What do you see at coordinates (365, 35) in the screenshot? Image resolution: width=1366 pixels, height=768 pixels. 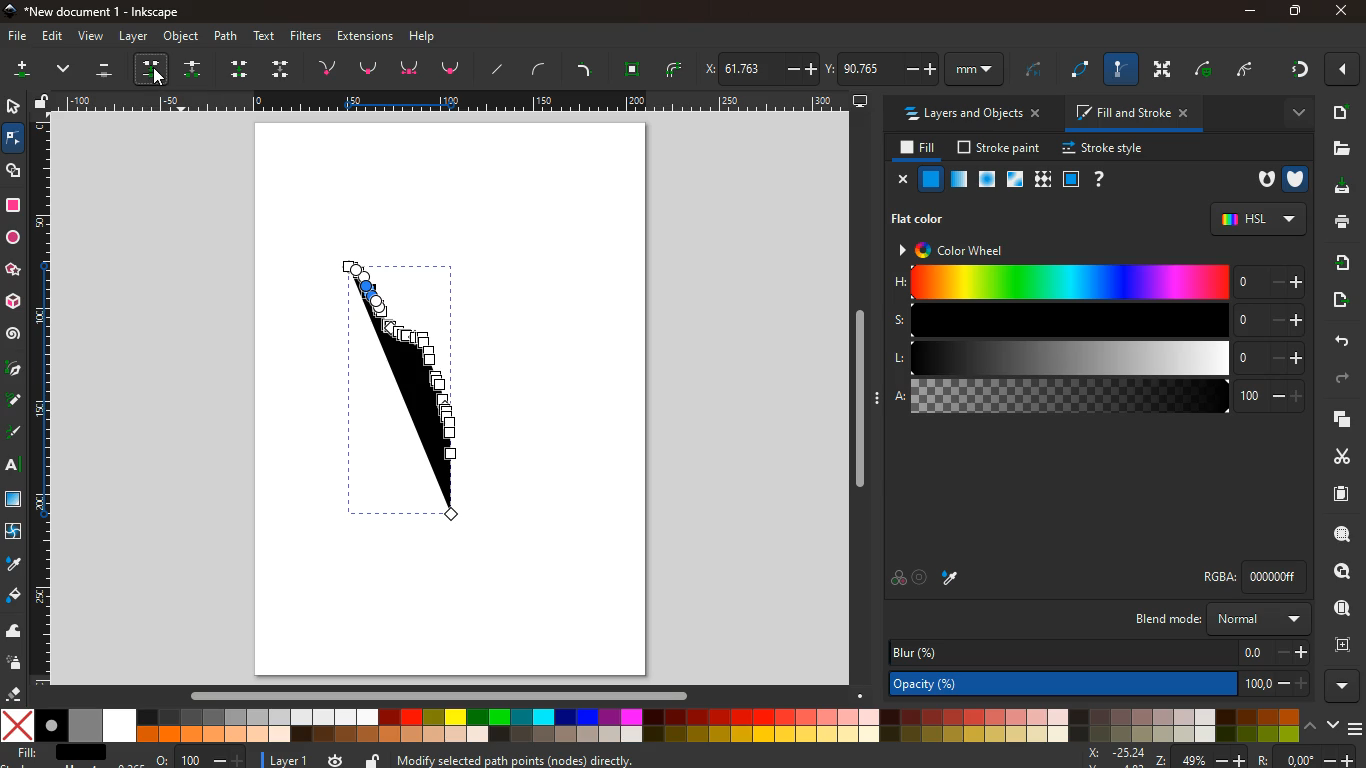 I see `extensions` at bounding box center [365, 35].